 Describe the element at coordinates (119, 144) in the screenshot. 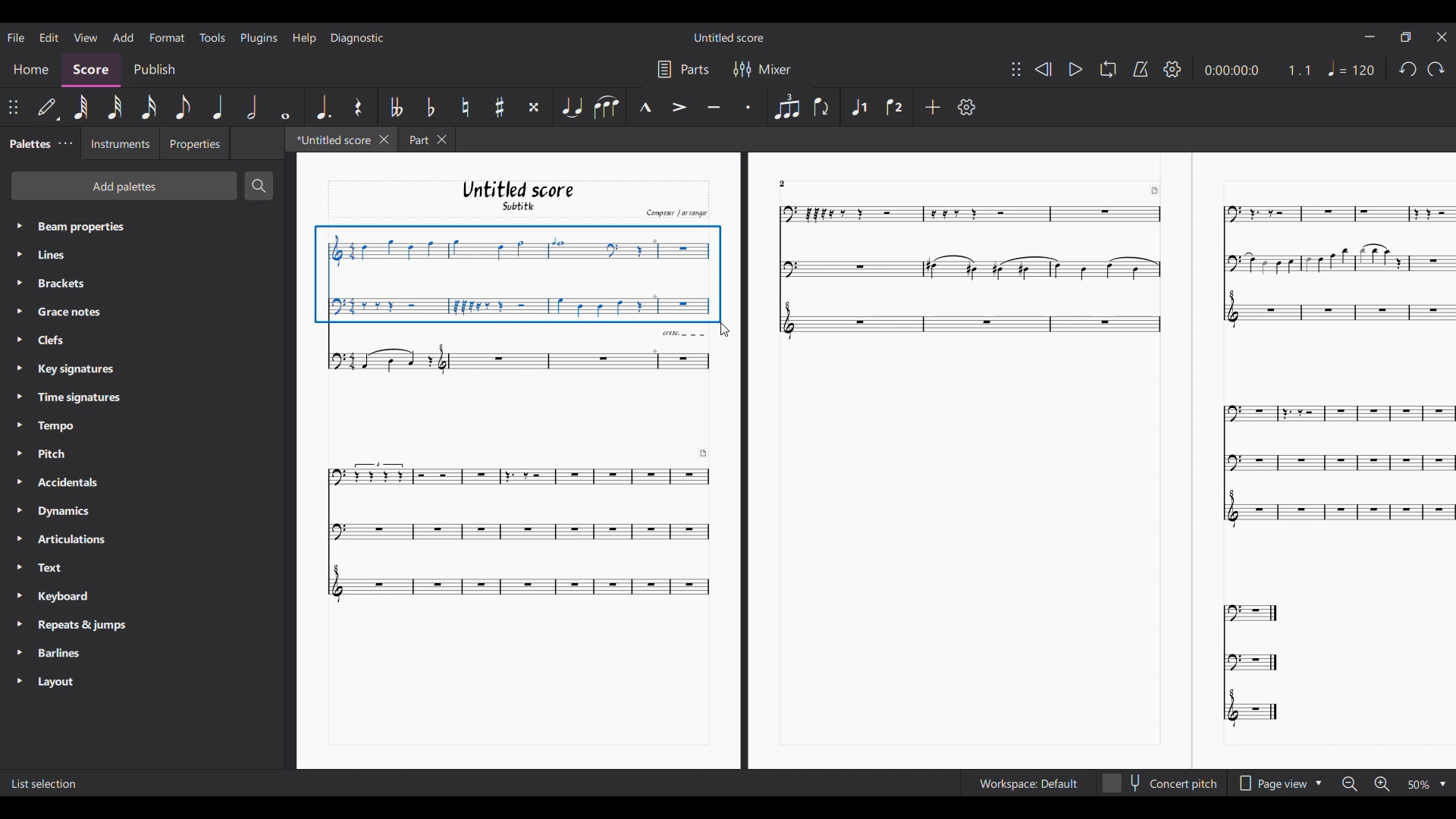

I see `Instruments` at that location.